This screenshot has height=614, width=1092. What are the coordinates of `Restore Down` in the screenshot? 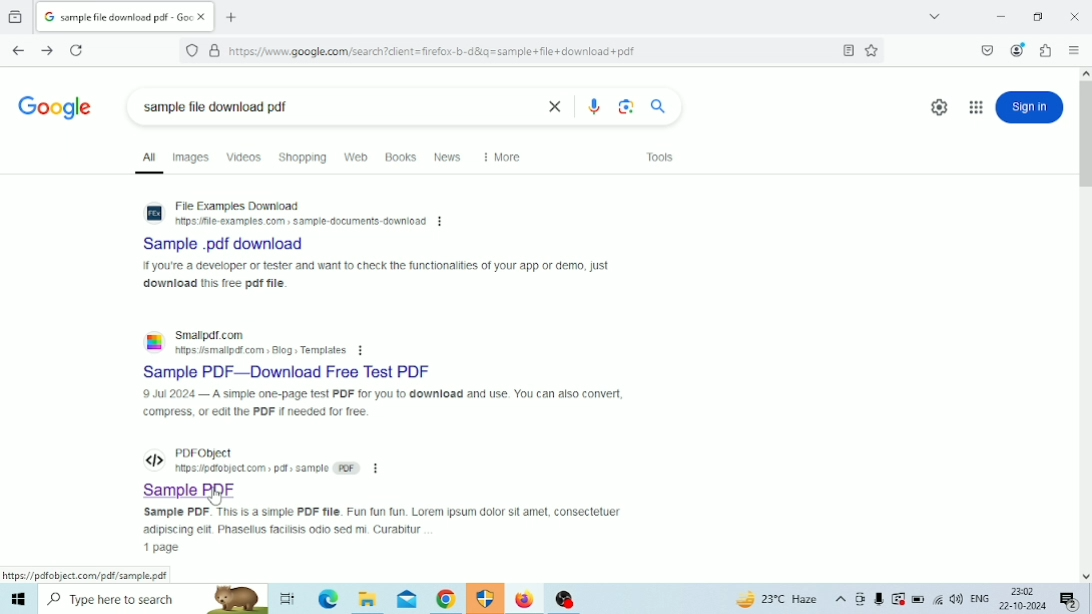 It's located at (1039, 17).